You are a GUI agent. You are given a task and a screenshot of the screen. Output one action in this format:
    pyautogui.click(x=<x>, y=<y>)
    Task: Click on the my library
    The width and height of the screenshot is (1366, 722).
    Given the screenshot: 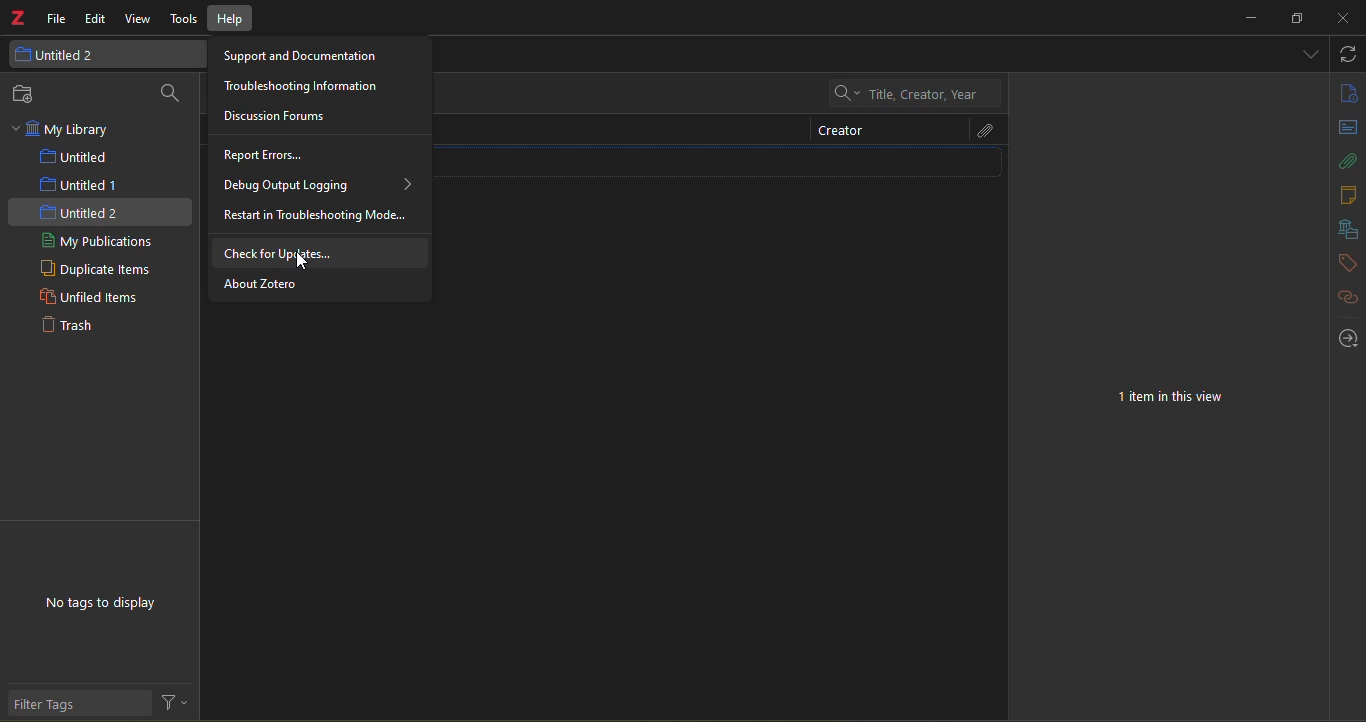 What is the action you would take?
    pyautogui.click(x=72, y=127)
    